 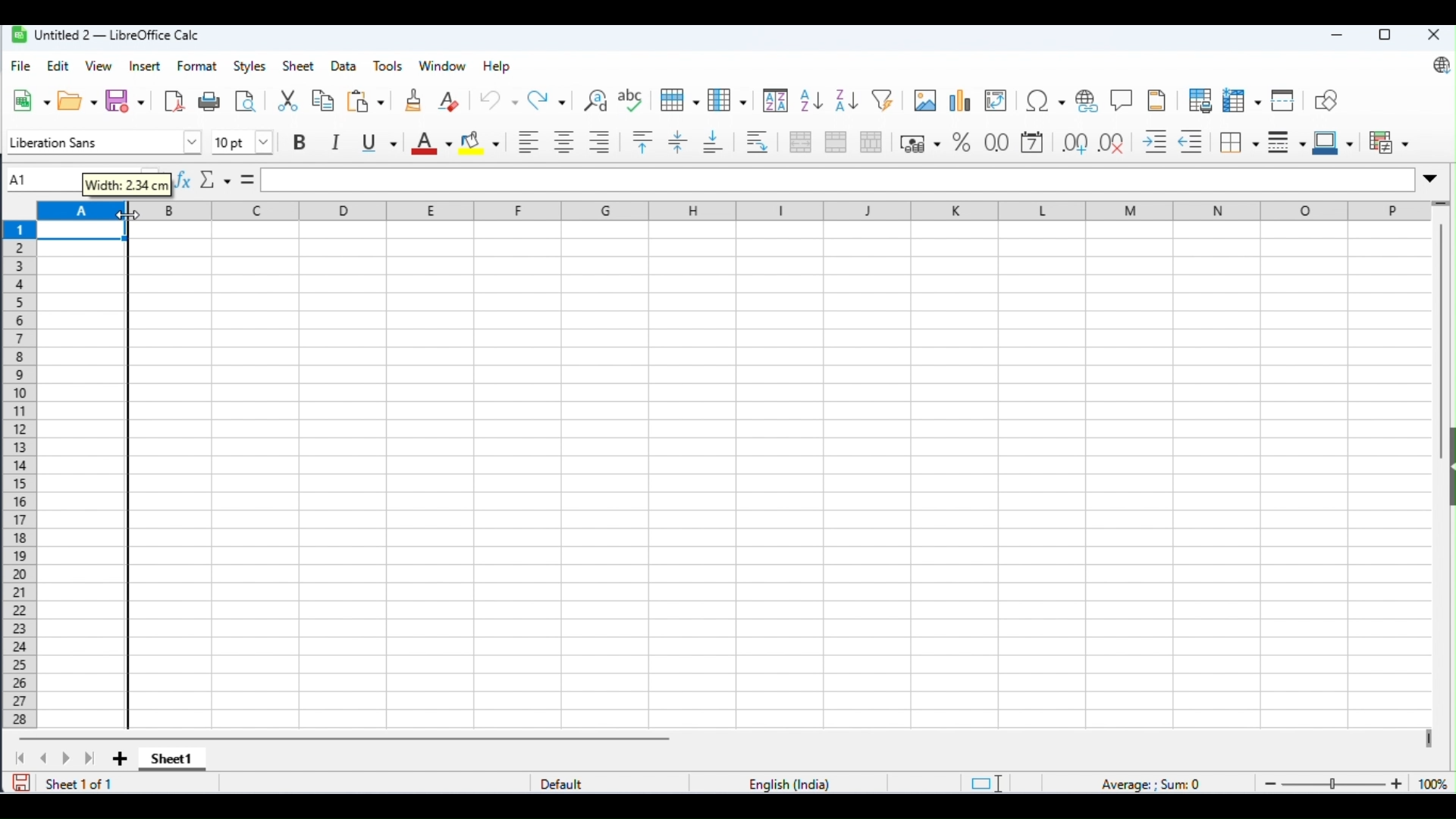 What do you see at coordinates (18, 474) in the screenshot?
I see `row numbers` at bounding box center [18, 474].